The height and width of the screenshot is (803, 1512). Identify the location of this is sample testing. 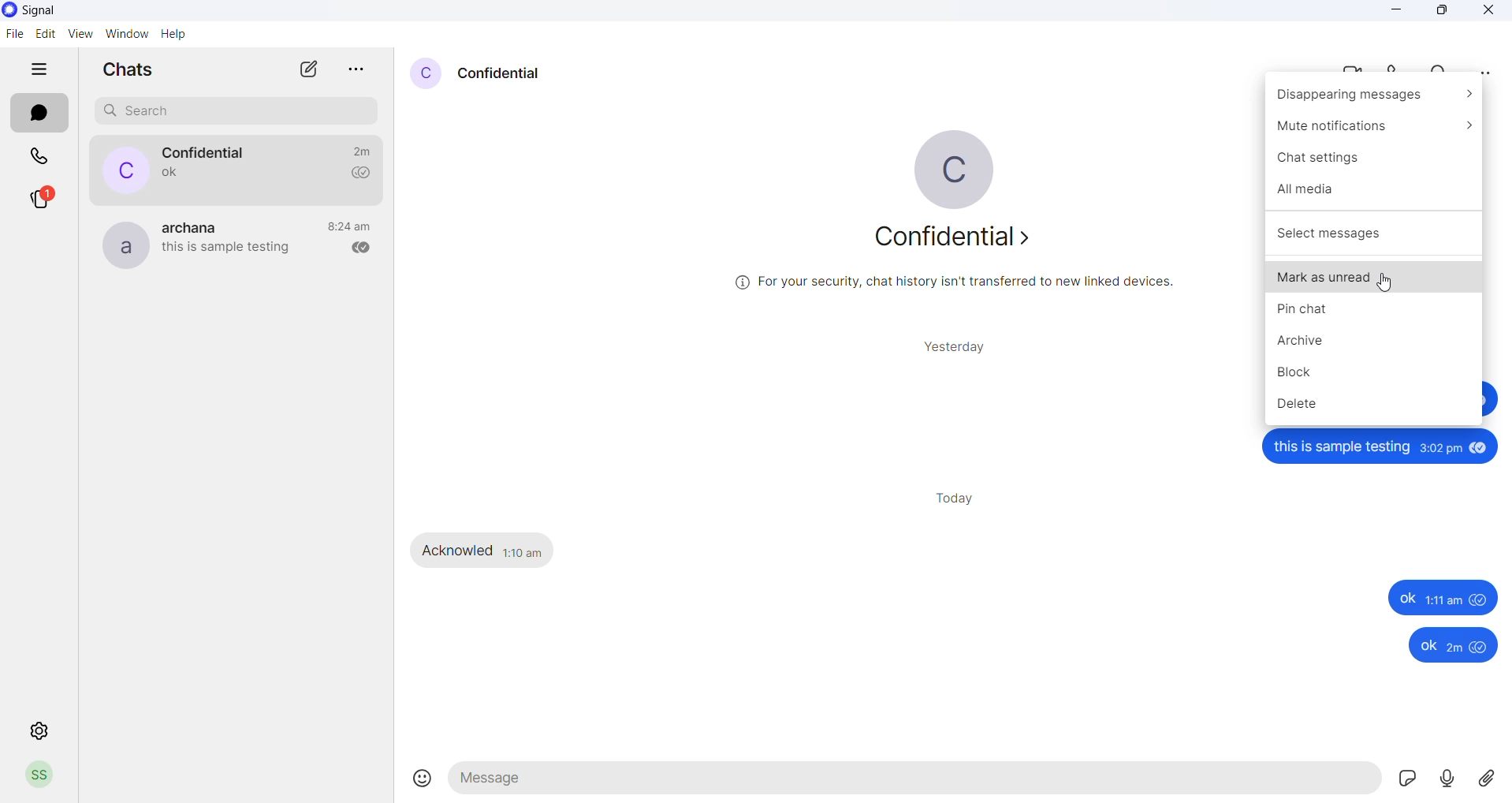
(1384, 449).